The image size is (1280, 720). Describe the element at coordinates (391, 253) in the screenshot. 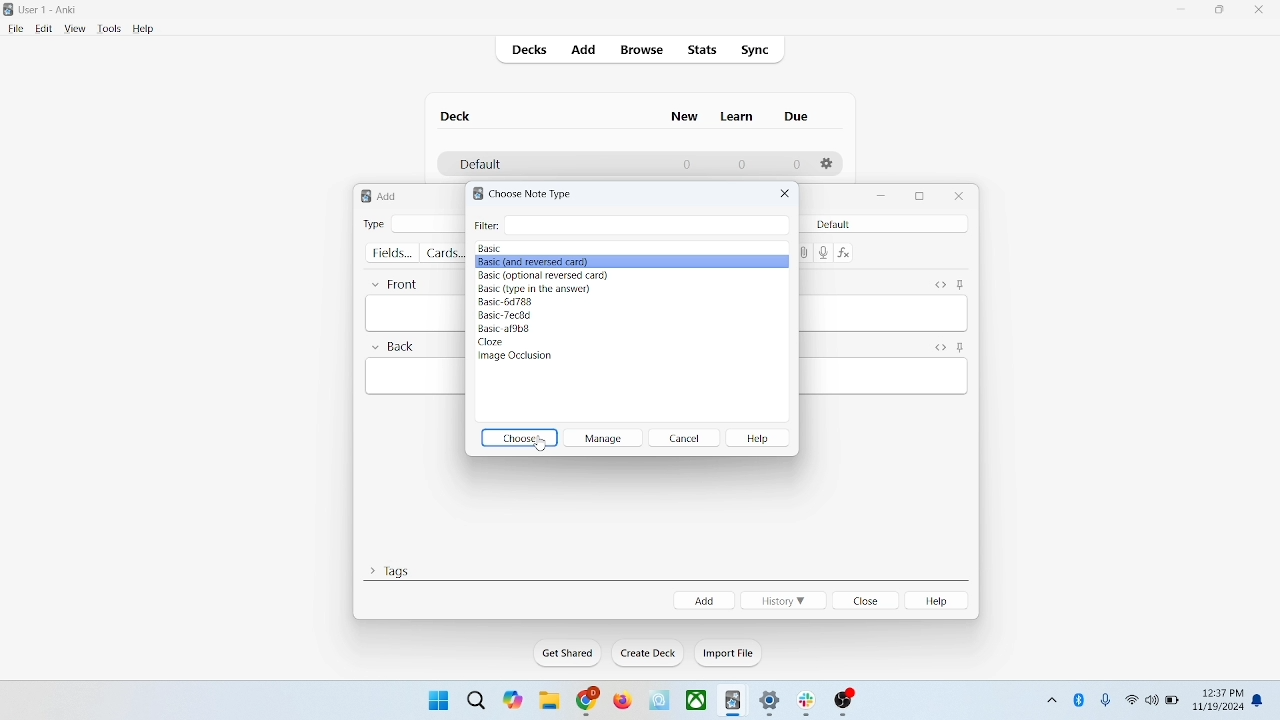

I see `fields` at that location.